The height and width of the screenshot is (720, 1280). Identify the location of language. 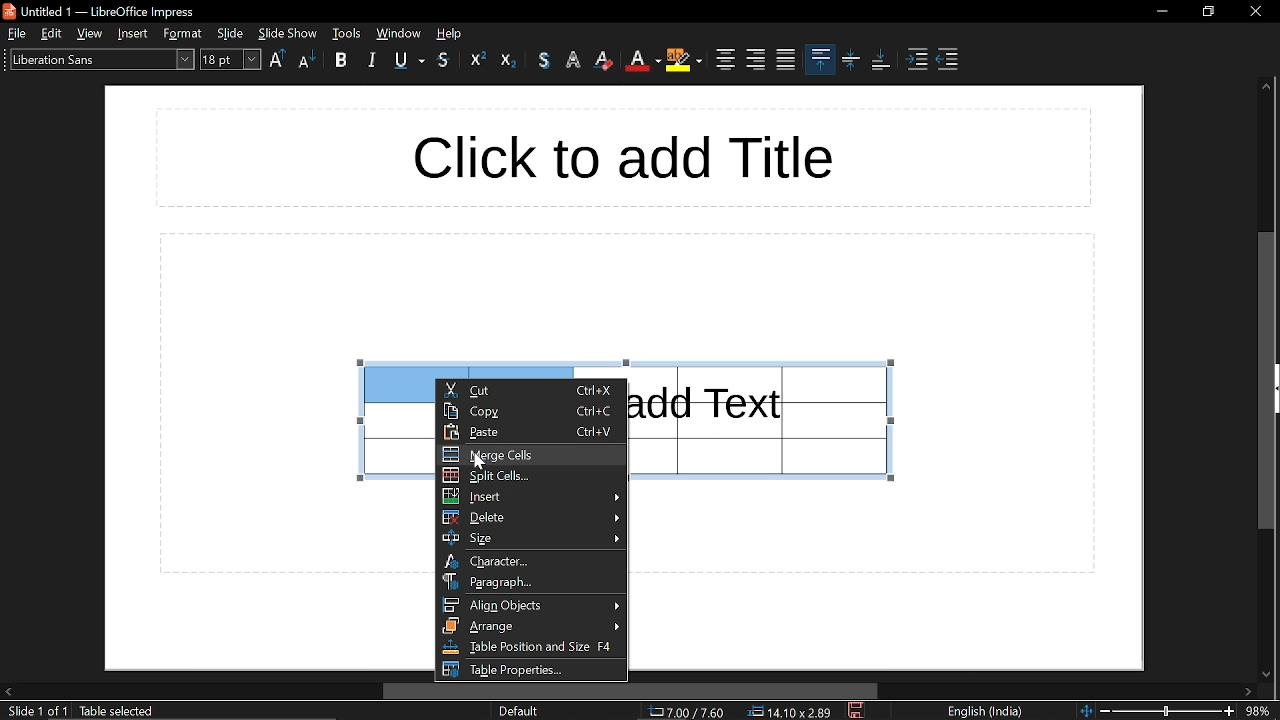
(990, 712).